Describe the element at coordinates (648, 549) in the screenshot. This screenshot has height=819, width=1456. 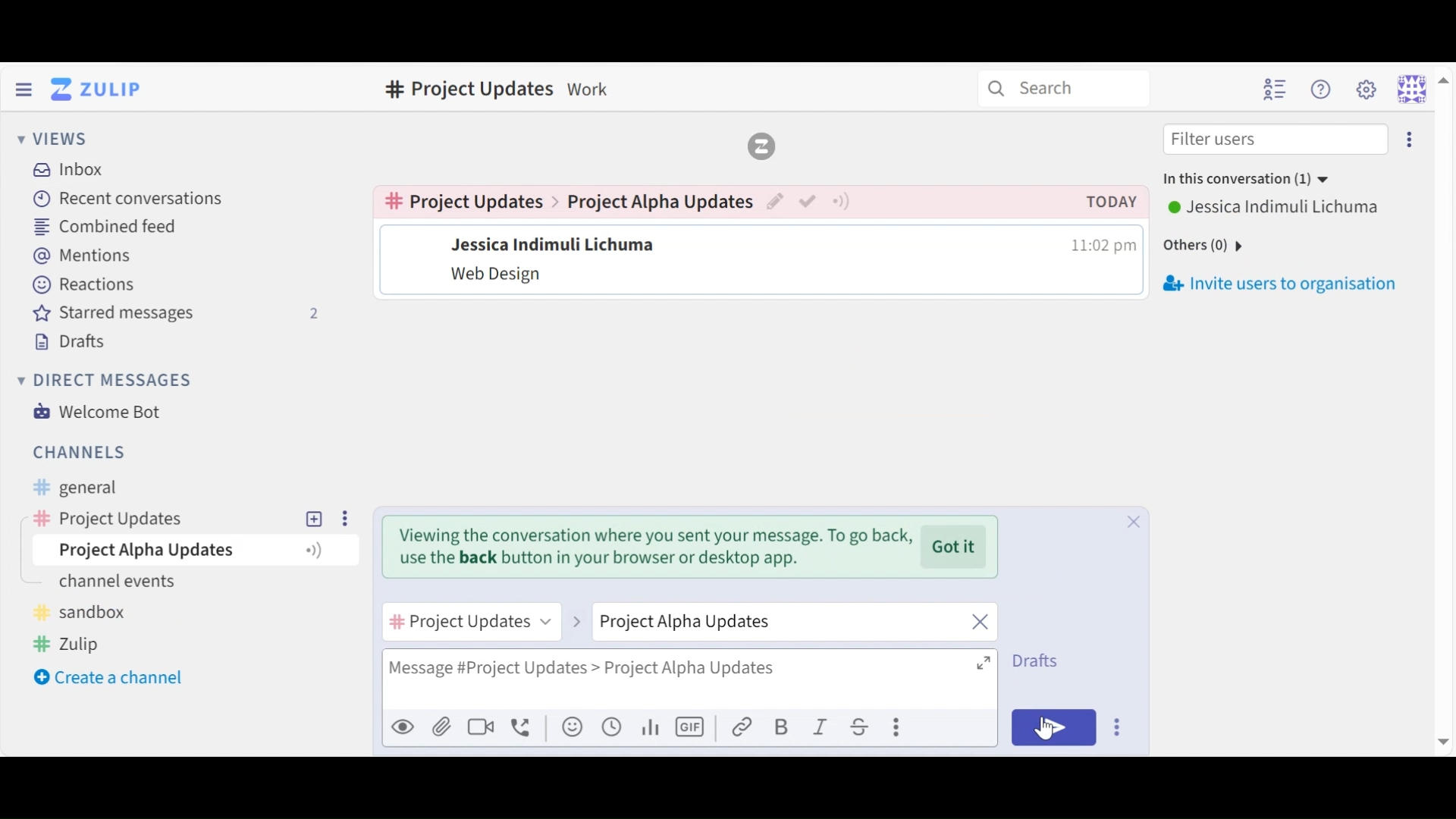
I see `Popup message` at that location.